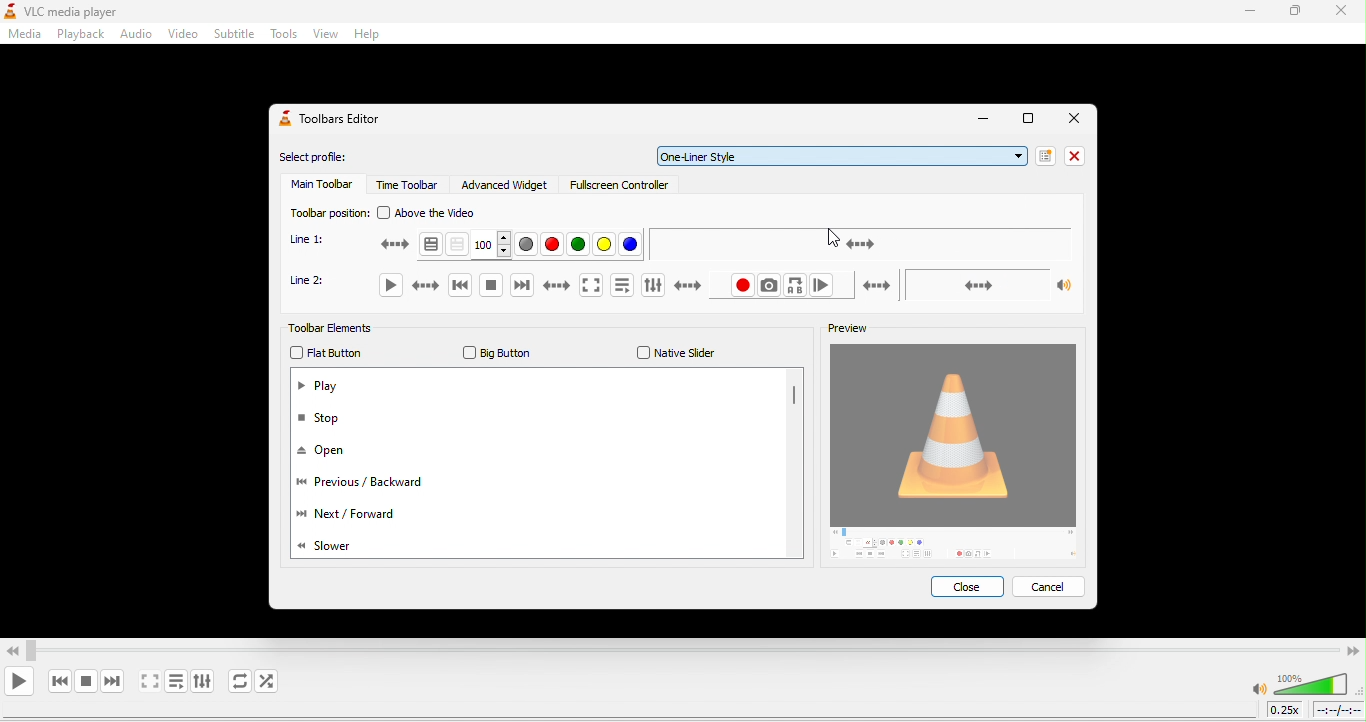  What do you see at coordinates (1296, 13) in the screenshot?
I see `maximize` at bounding box center [1296, 13].